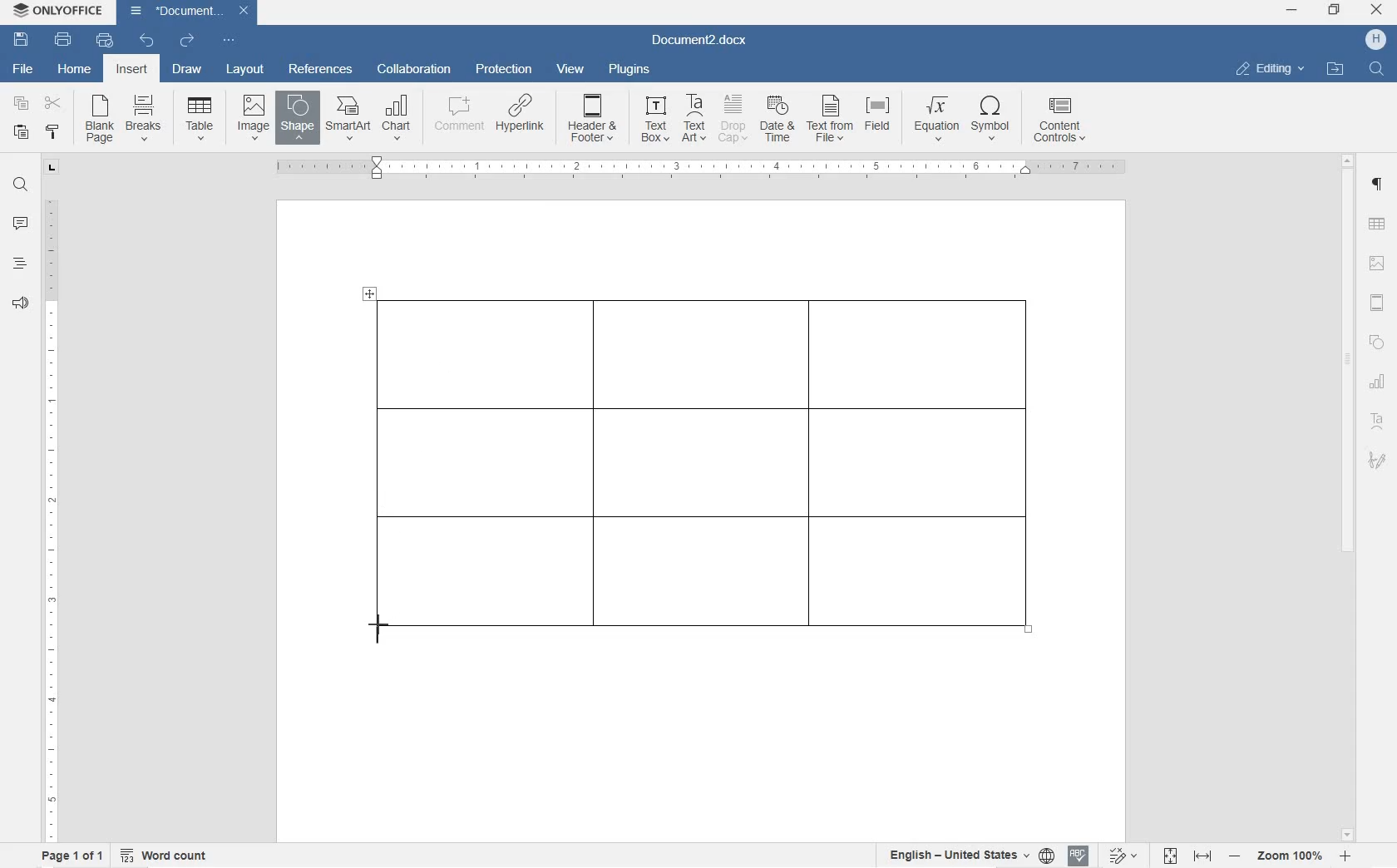  Describe the element at coordinates (246, 70) in the screenshot. I see `layout` at that location.